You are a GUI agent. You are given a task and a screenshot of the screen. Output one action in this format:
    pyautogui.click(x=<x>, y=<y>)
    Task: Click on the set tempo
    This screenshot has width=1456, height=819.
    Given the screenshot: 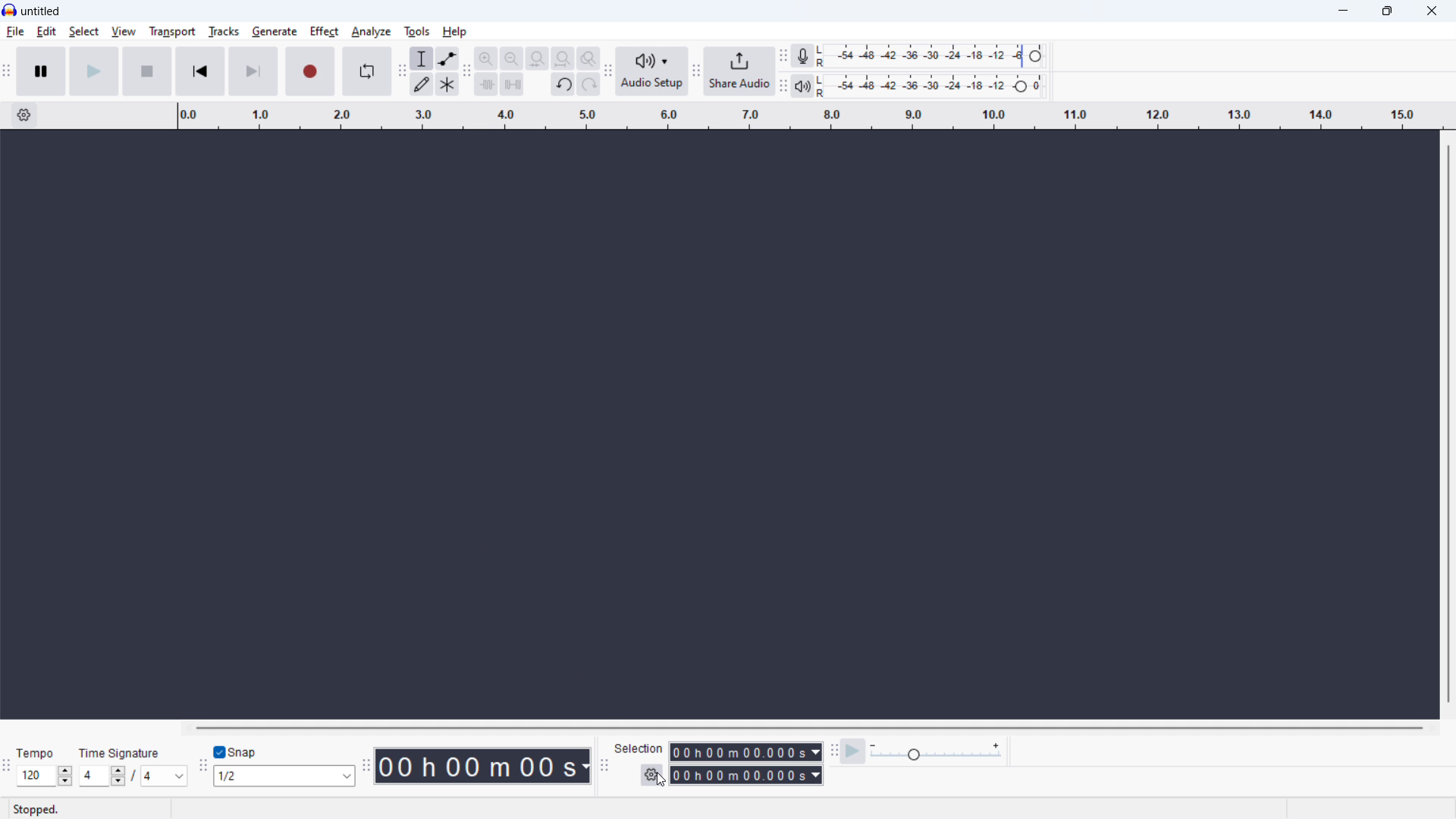 What is the action you would take?
    pyautogui.click(x=45, y=776)
    